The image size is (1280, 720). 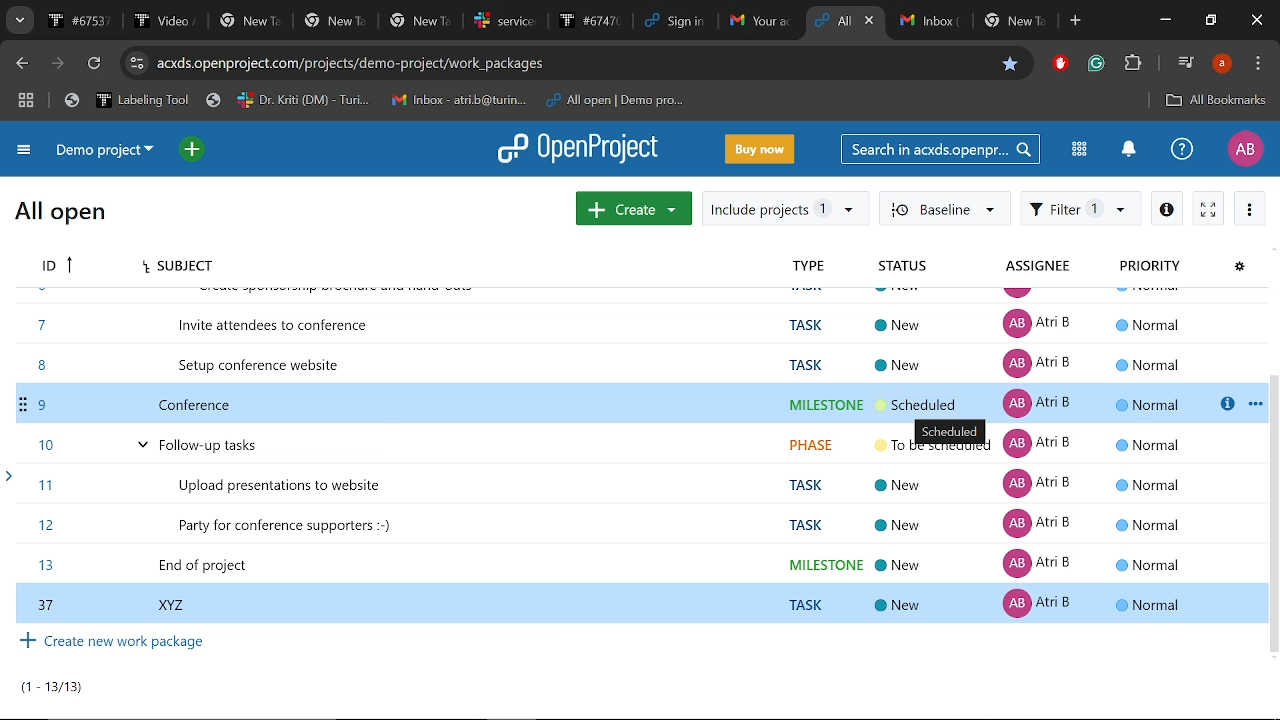 What do you see at coordinates (810, 268) in the screenshot?
I see `Type` at bounding box center [810, 268].